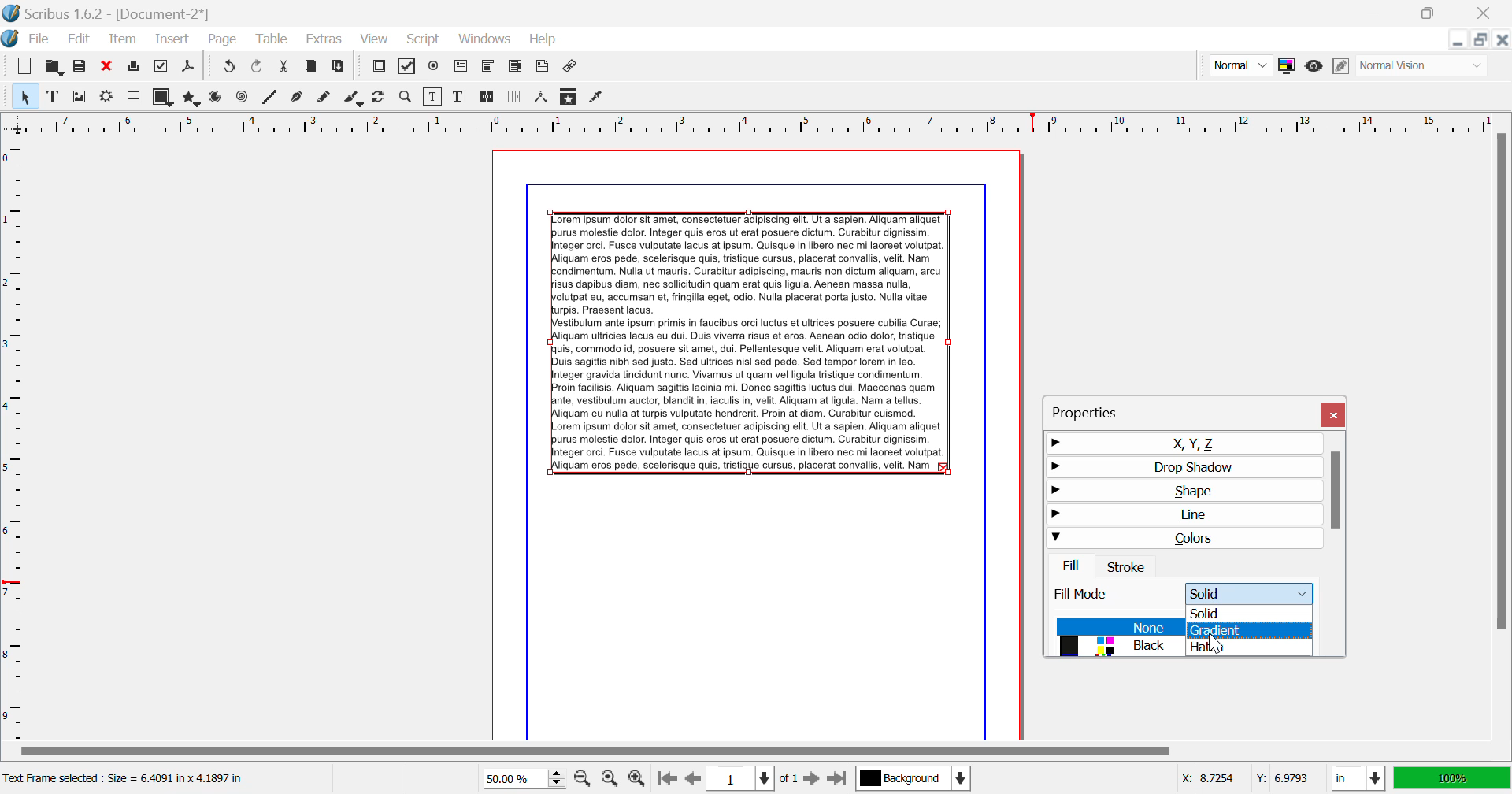 This screenshot has width=1512, height=794. Describe the element at coordinates (461, 67) in the screenshot. I see `Pdf Text Fields` at that location.